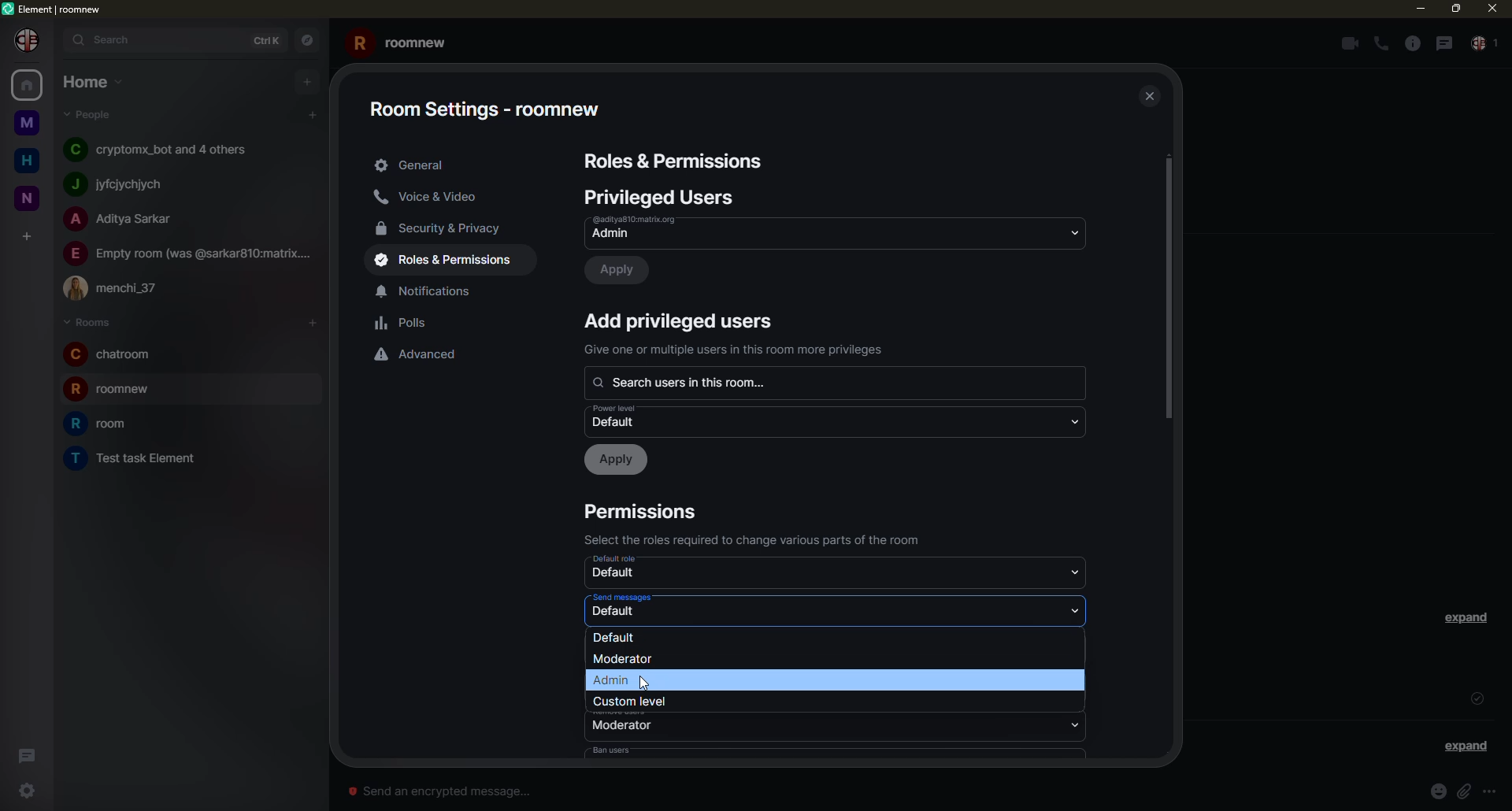 This screenshot has height=811, width=1512. What do you see at coordinates (1078, 723) in the screenshot?
I see `drop` at bounding box center [1078, 723].